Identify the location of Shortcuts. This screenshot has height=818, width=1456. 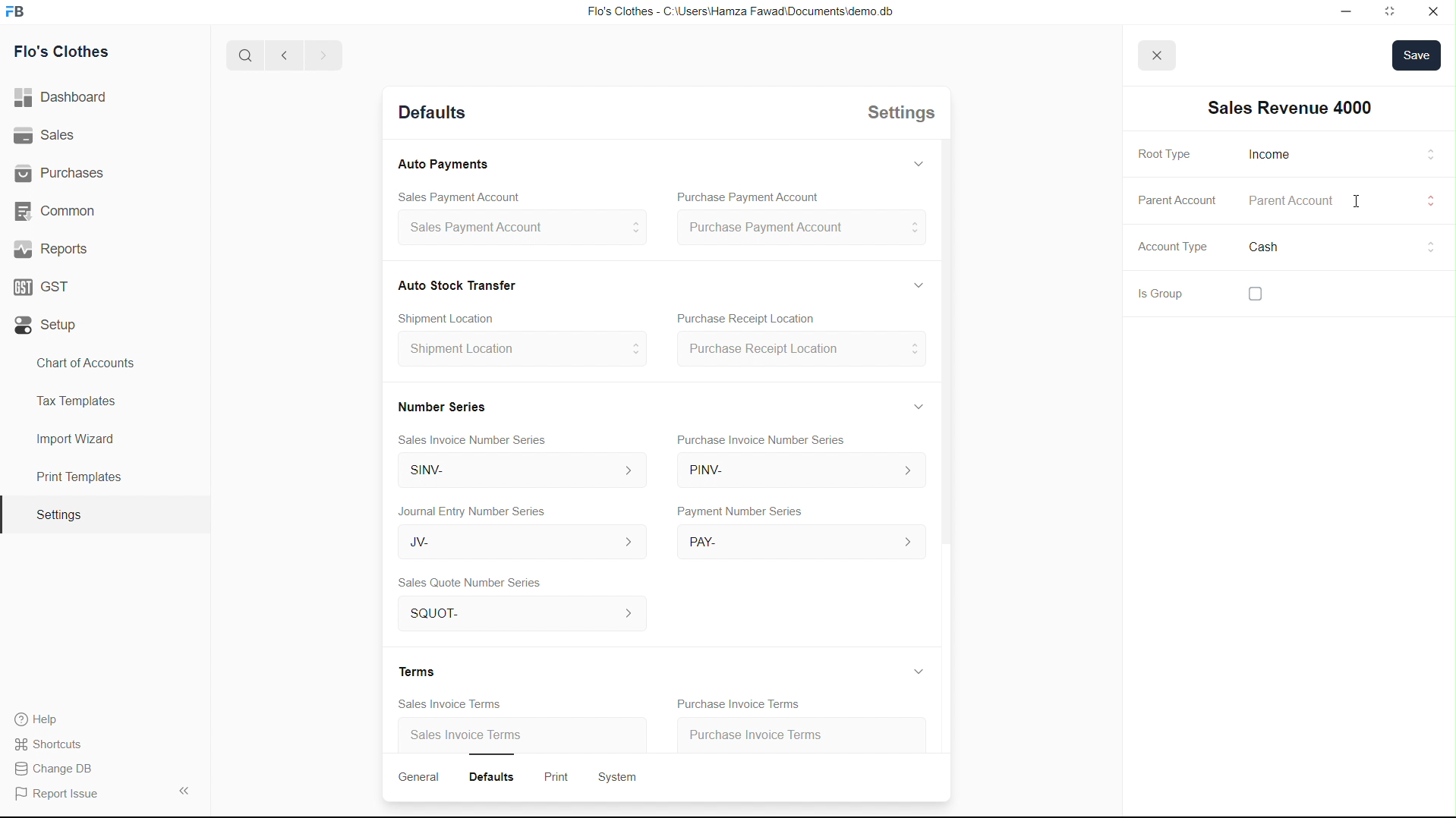
(57, 743).